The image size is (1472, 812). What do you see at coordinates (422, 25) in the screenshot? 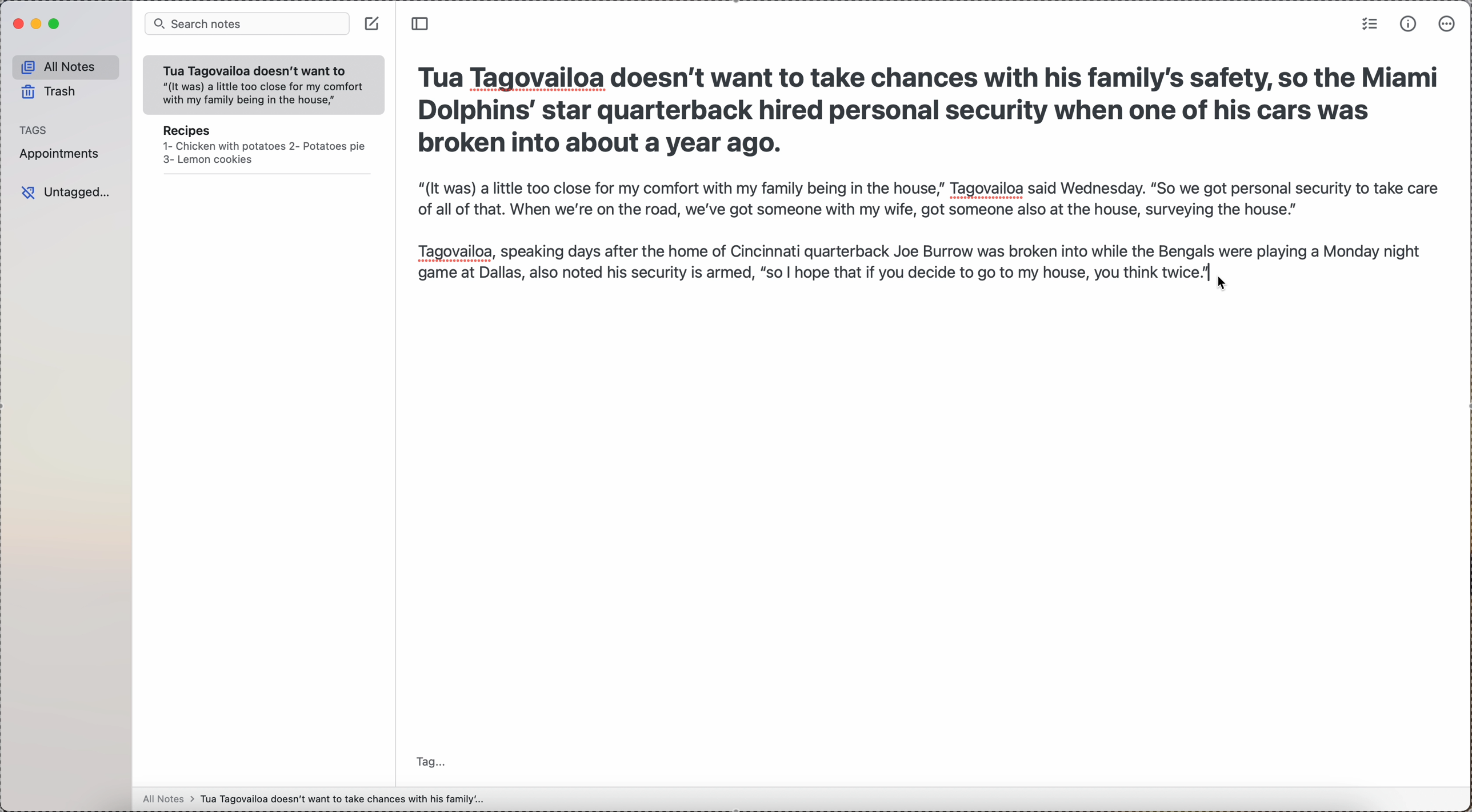
I see `toggle sidebar` at bounding box center [422, 25].